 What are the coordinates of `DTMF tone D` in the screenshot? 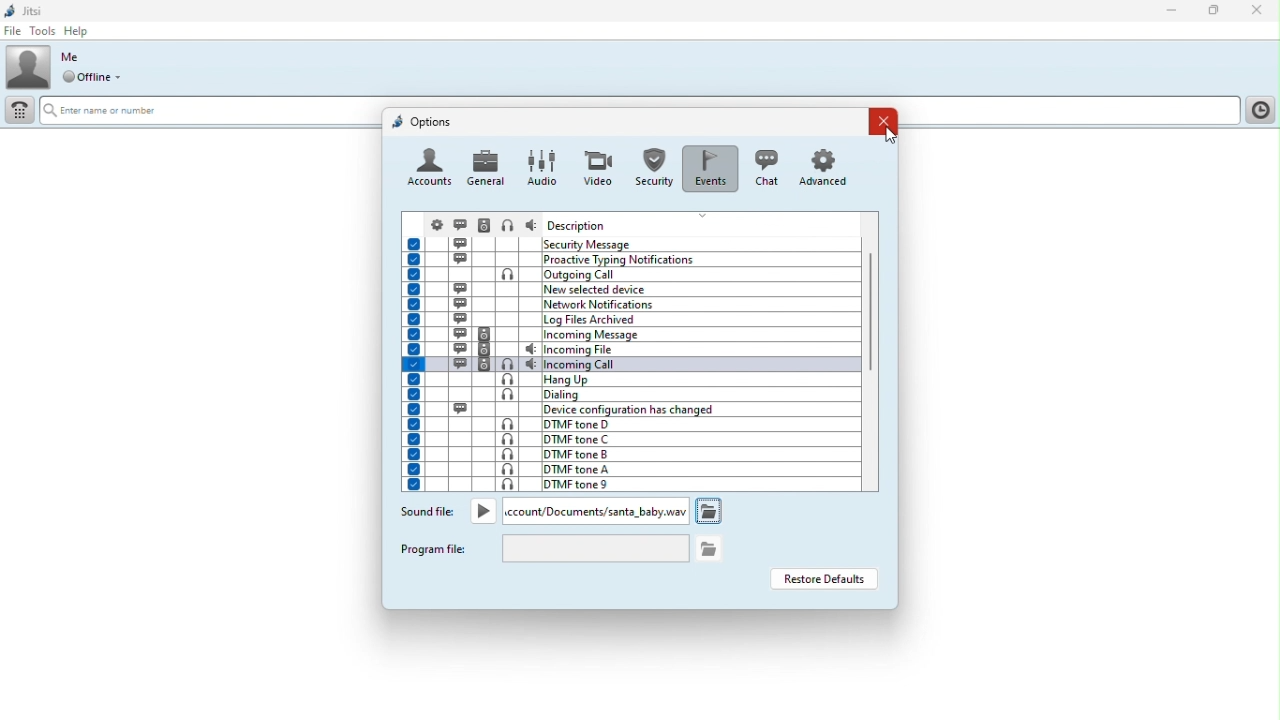 It's located at (619, 423).